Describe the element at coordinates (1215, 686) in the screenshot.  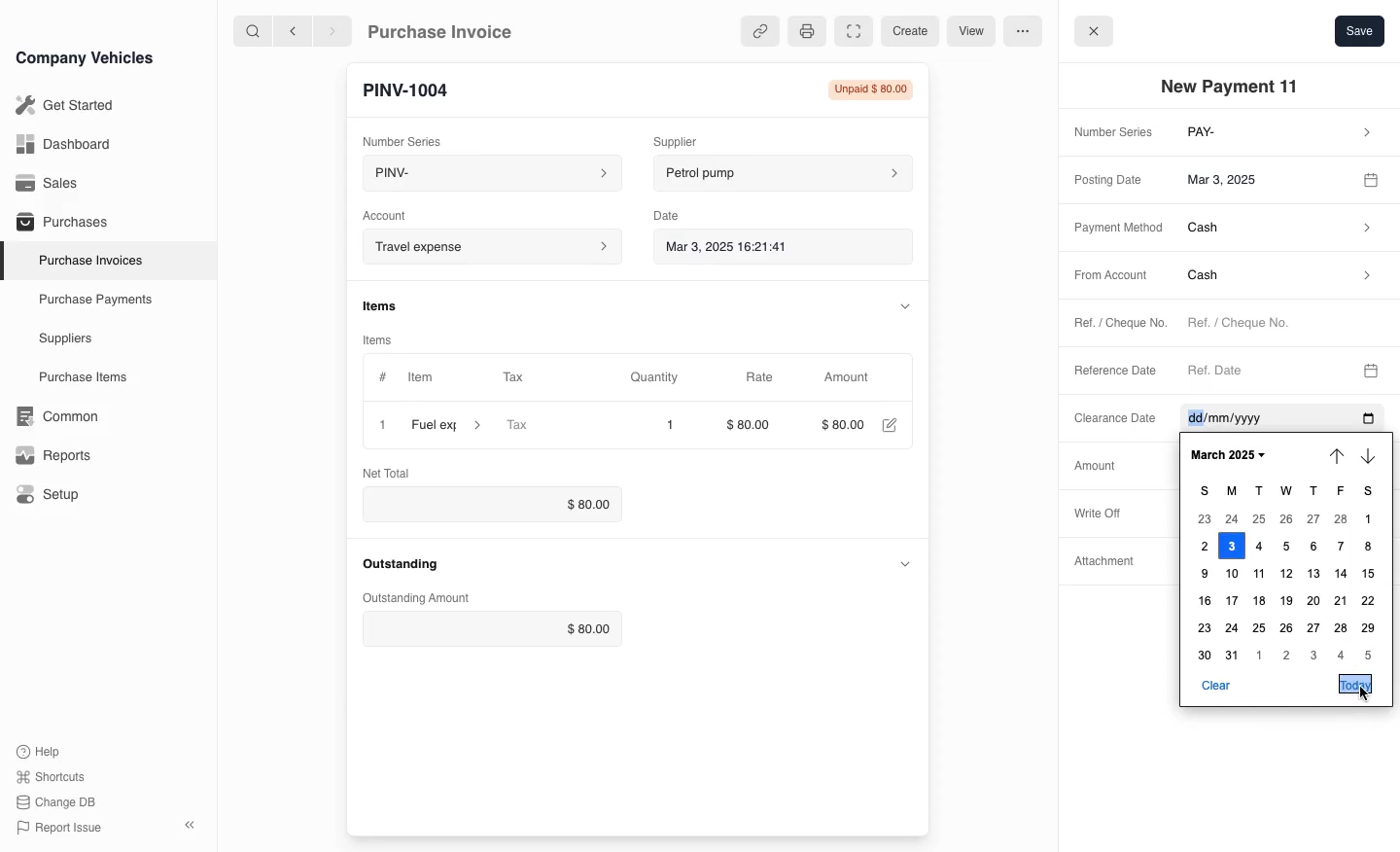
I see `clear ` at that location.